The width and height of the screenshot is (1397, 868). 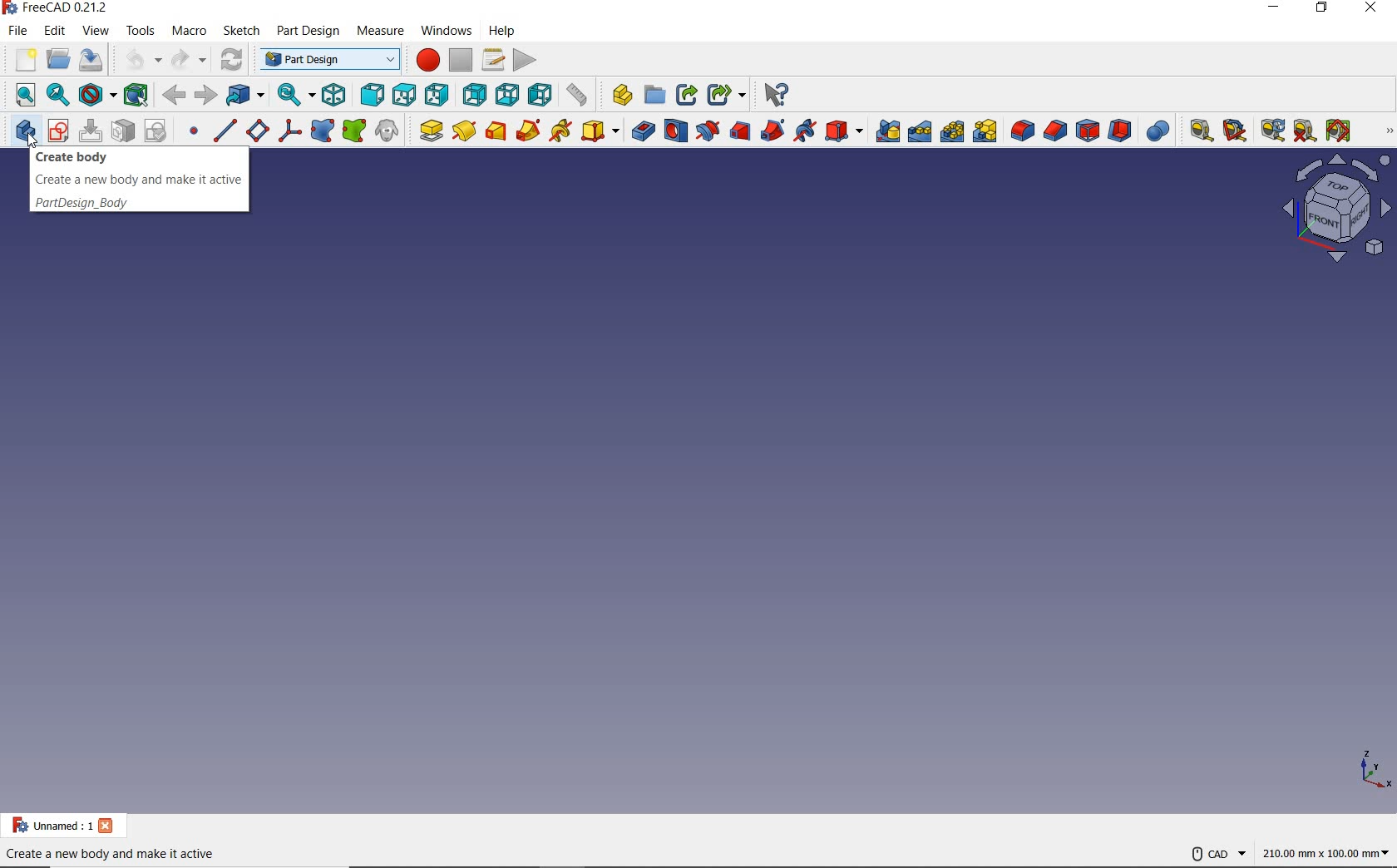 What do you see at coordinates (379, 31) in the screenshot?
I see `Measure` at bounding box center [379, 31].